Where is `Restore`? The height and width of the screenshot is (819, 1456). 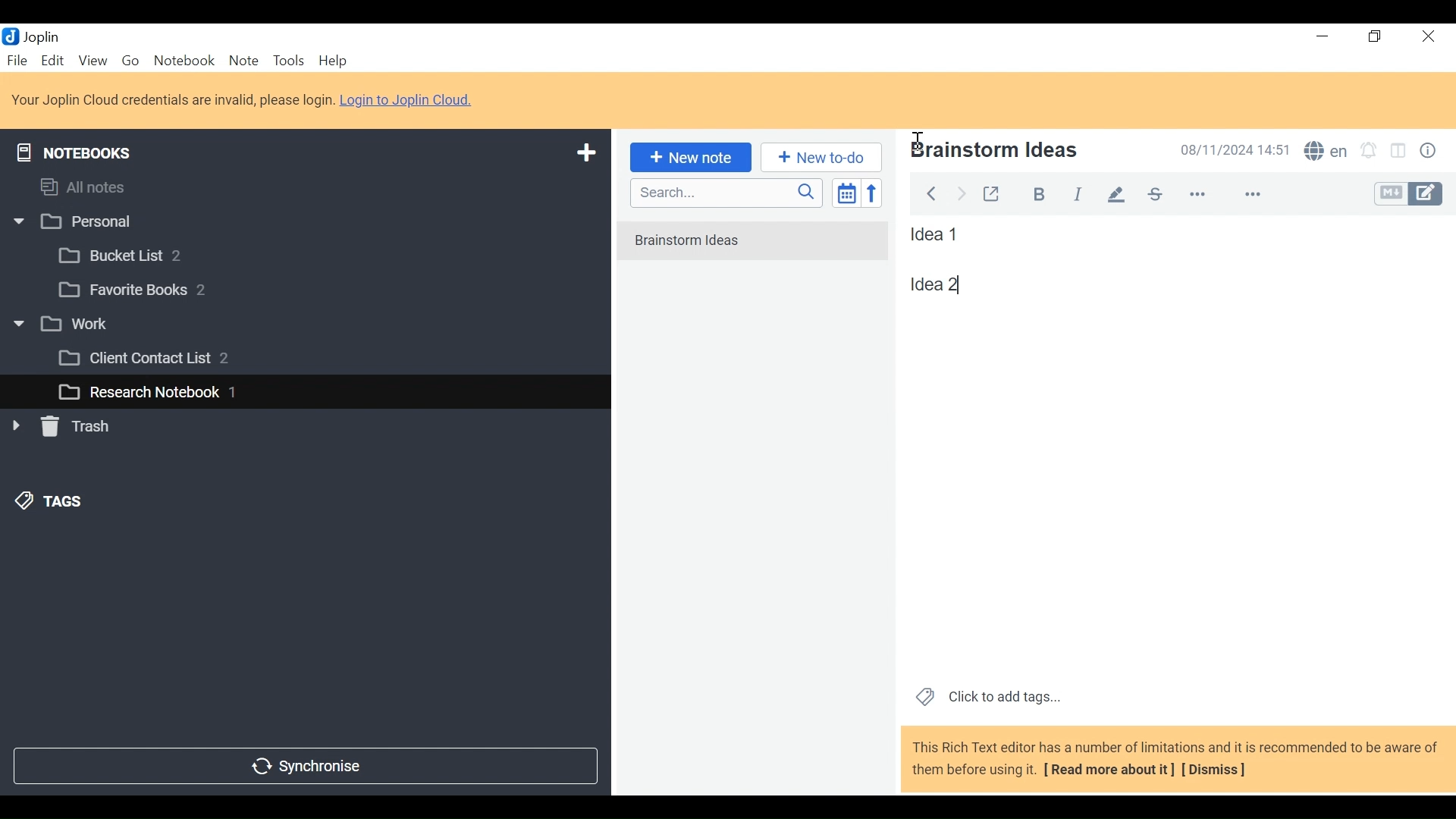 Restore is located at coordinates (1376, 37).